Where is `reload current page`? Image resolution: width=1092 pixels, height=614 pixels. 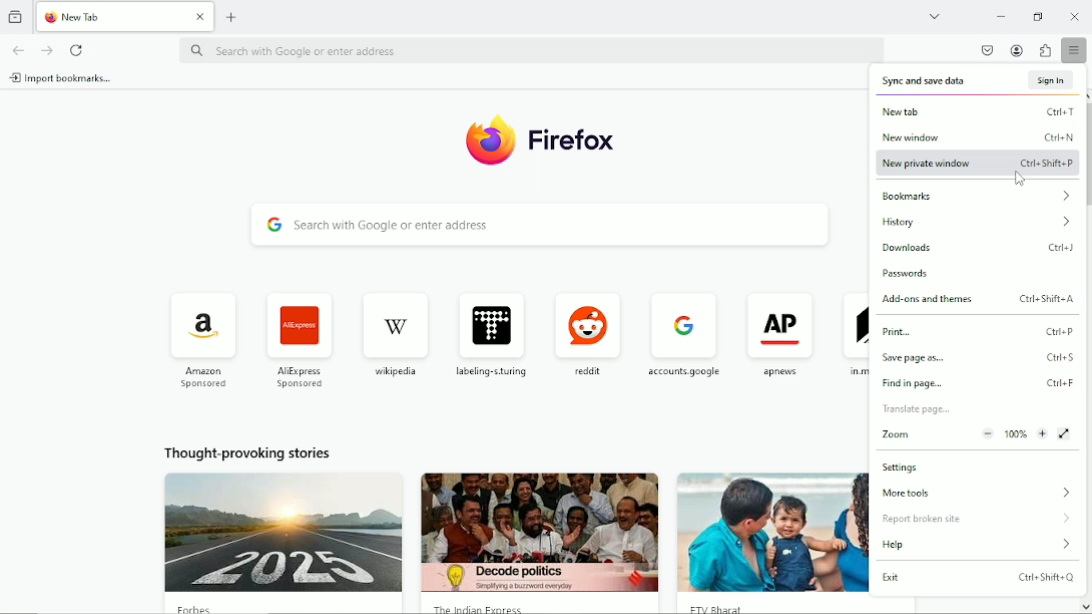 reload current page is located at coordinates (79, 50).